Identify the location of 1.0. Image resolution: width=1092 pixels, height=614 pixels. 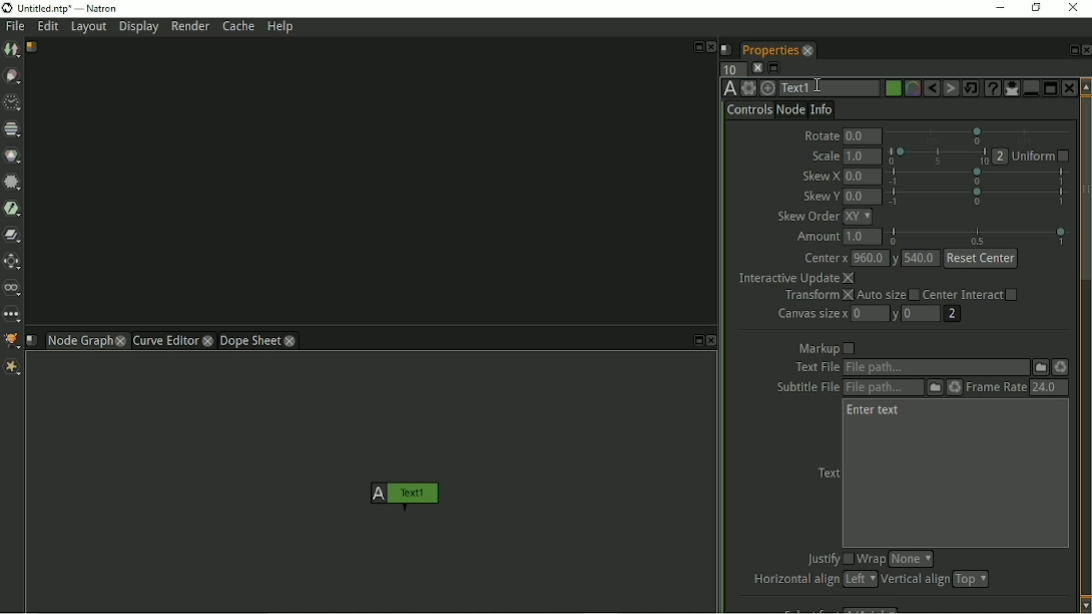
(862, 156).